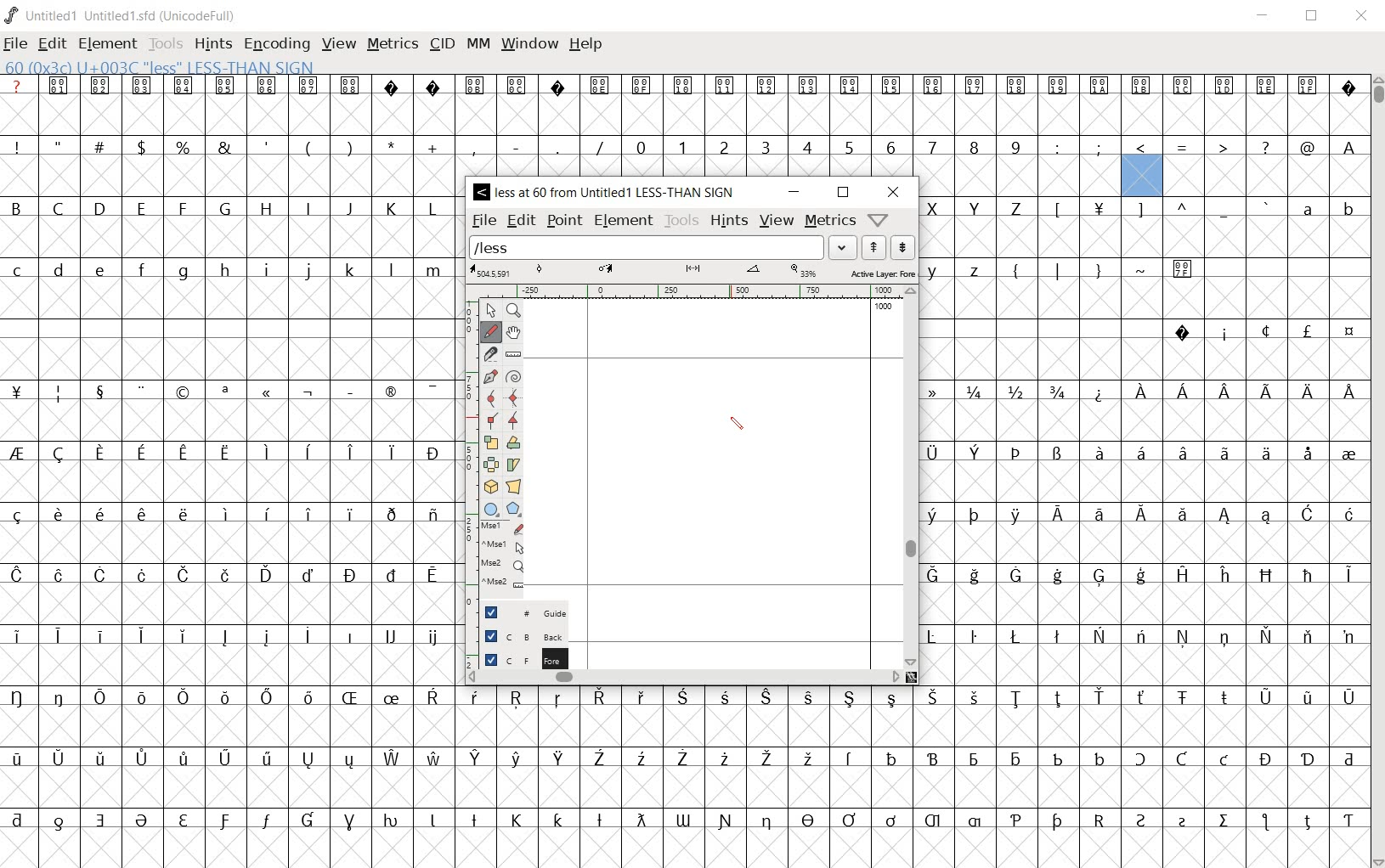 The width and height of the screenshot is (1385, 868). What do you see at coordinates (608, 193) in the screenshot?
I see `< less at 60 from Untitled1 LESS-THAN SIGN` at bounding box center [608, 193].